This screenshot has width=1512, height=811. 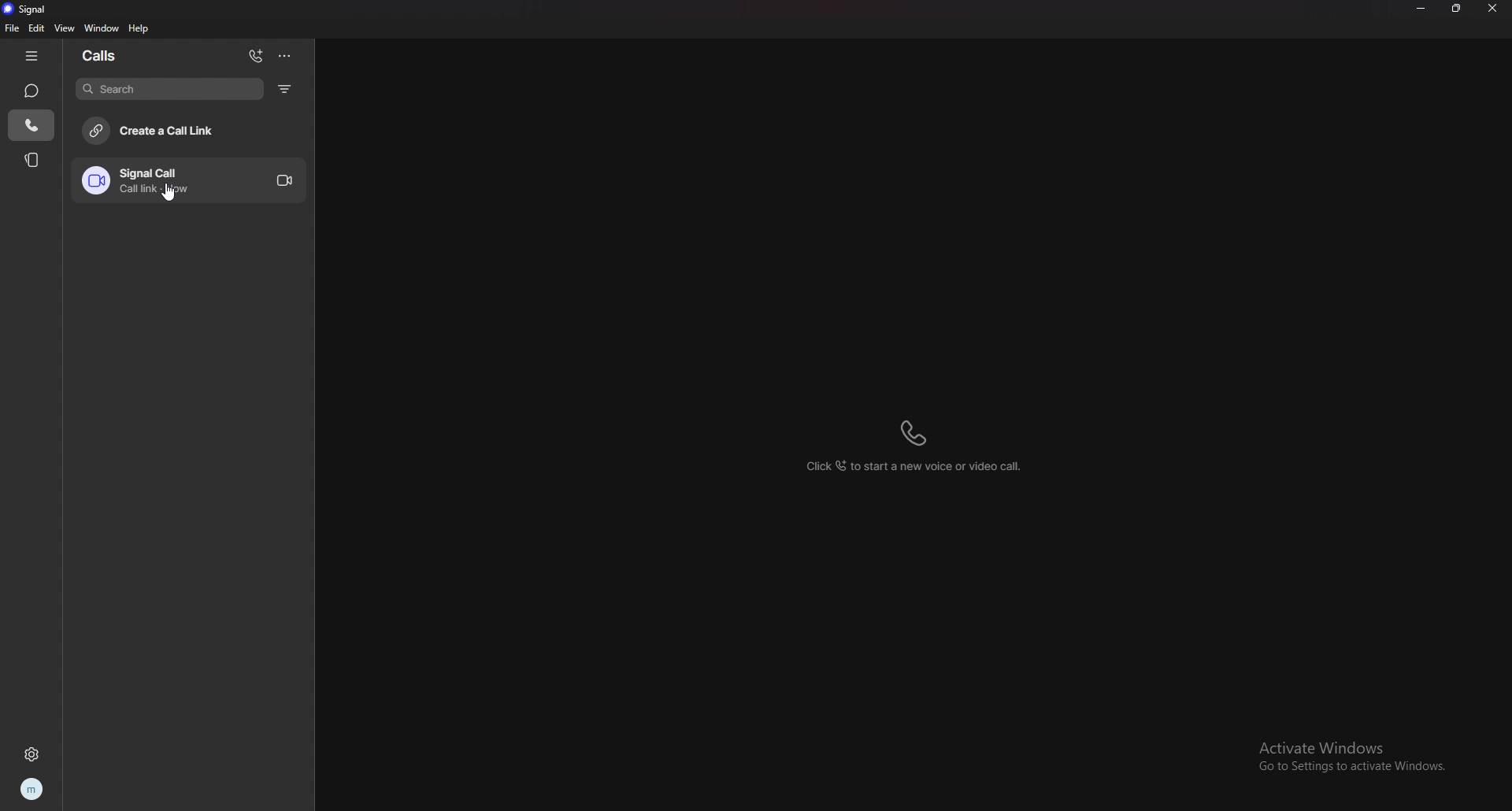 What do you see at coordinates (140, 28) in the screenshot?
I see `help` at bounding box center [140, 28].